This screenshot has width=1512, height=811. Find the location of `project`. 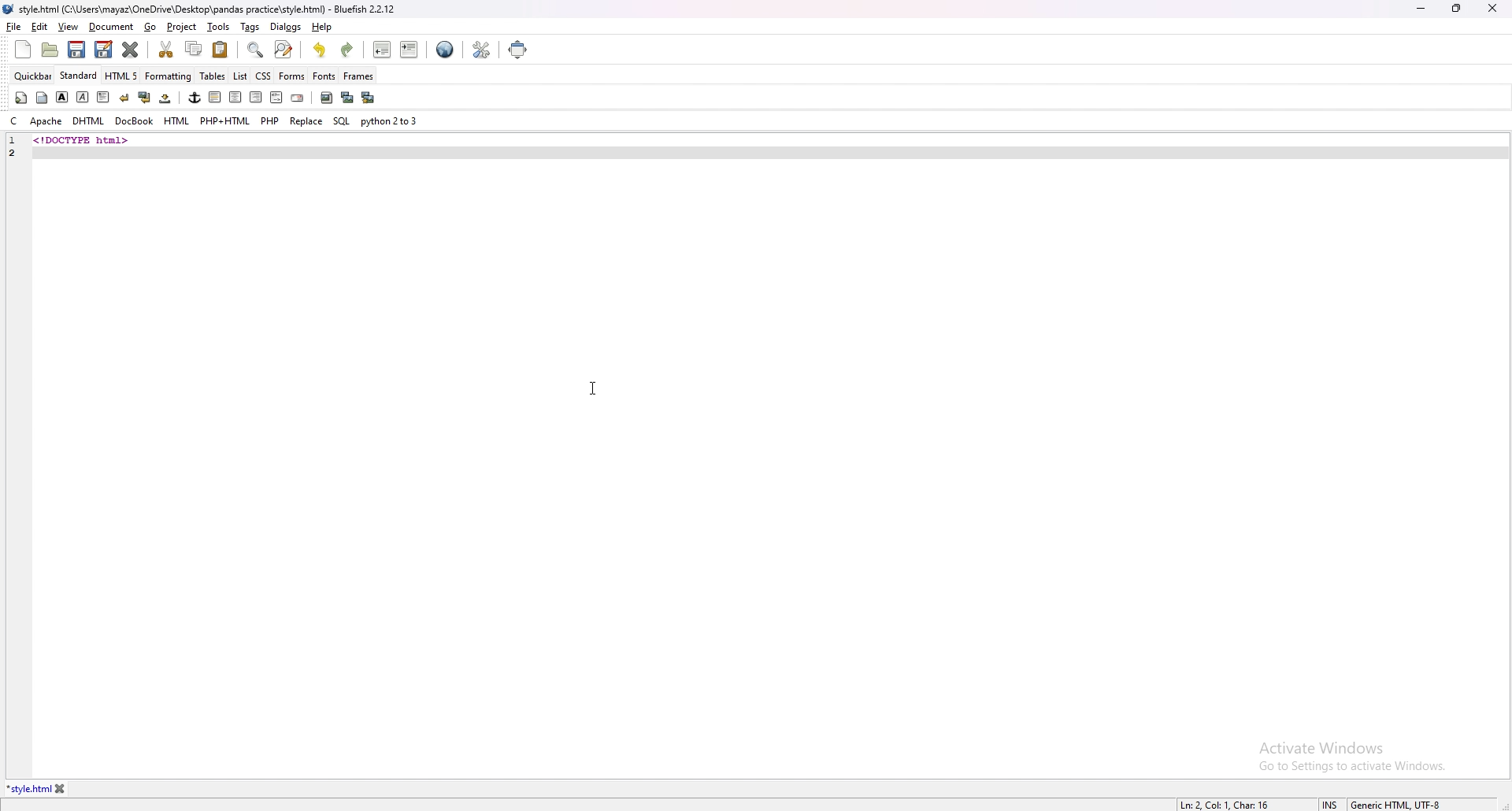

project is located at coordinates (183, 27).